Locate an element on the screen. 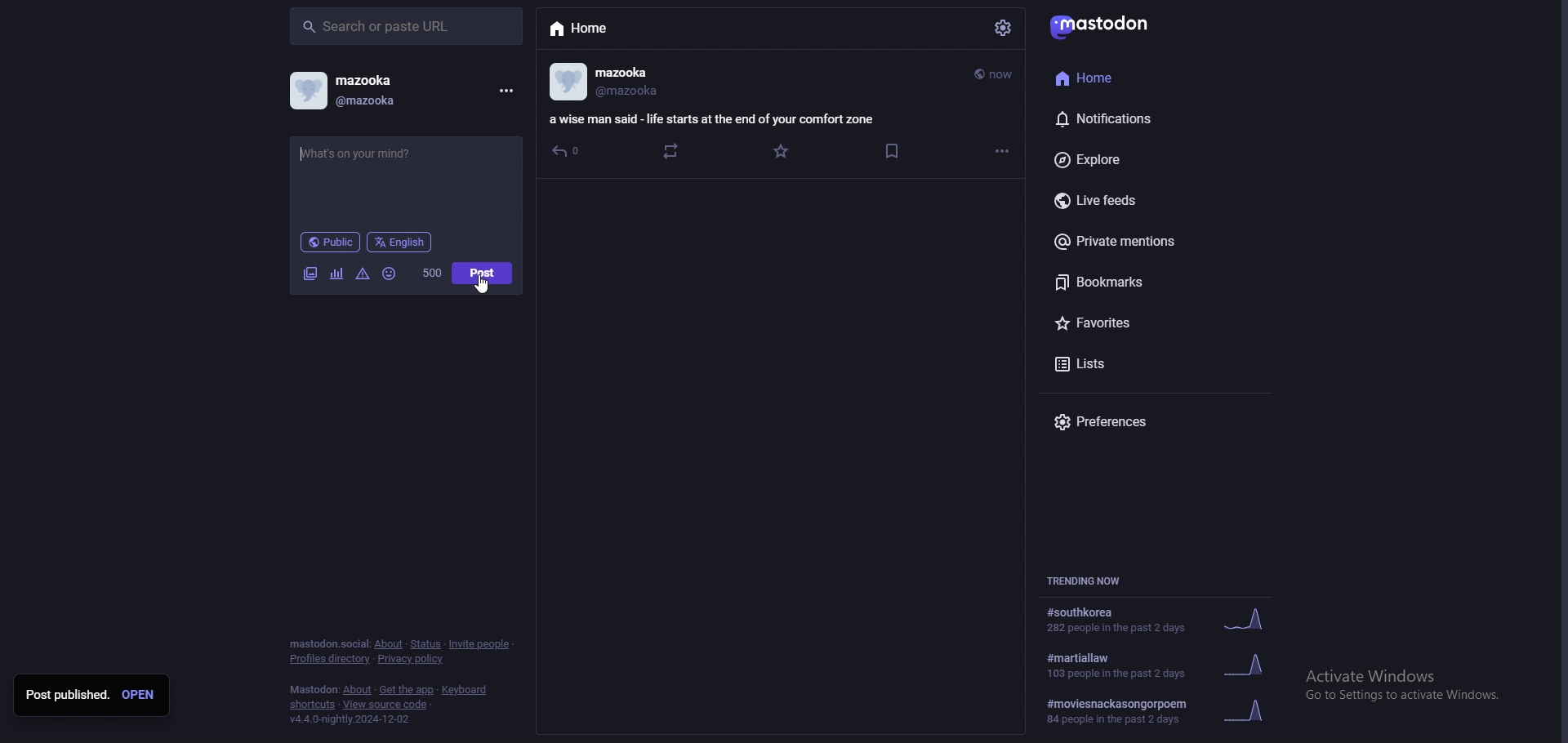  mazooka is located at coordinates (402, 81).